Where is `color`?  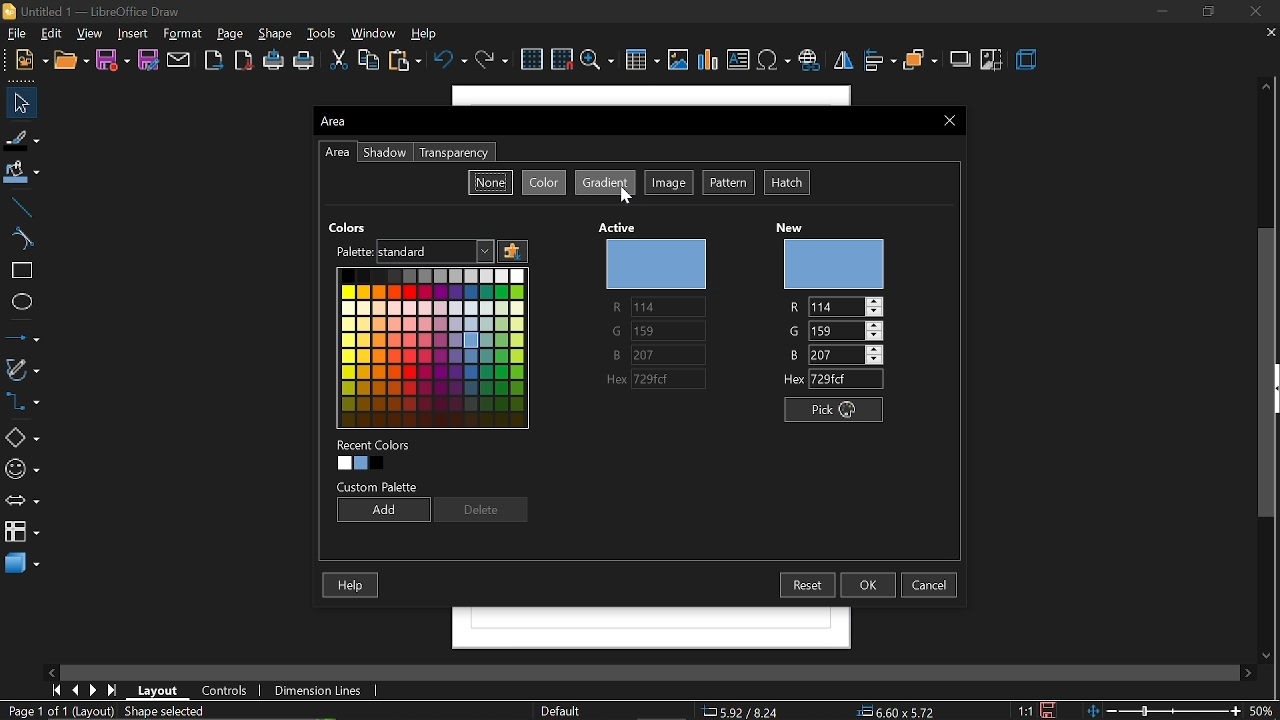 color is located at coordinates (544, 182).